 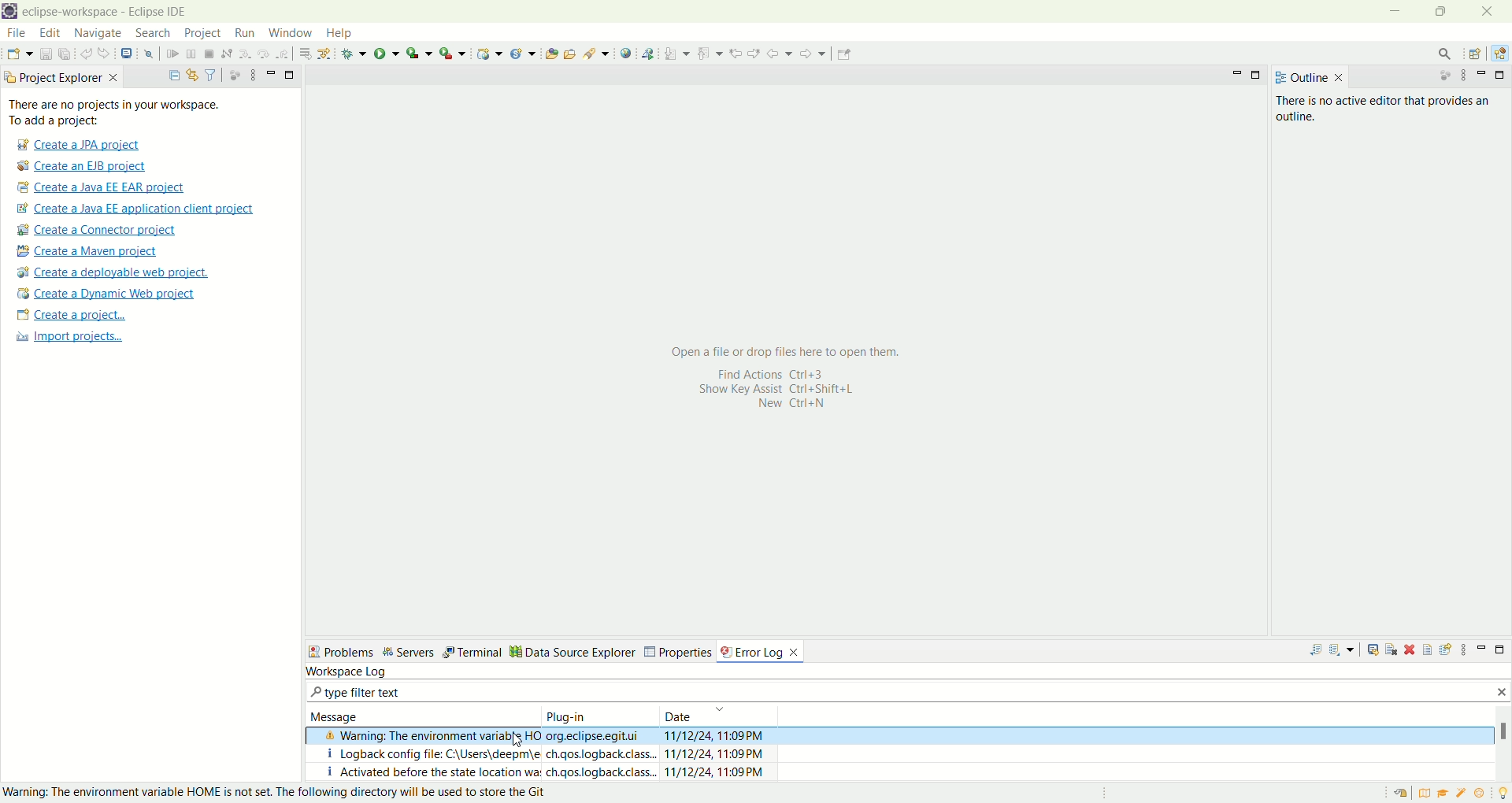 What do you see at coordinates (846, 55) in the screenshot?
I see `pin editor` at bounding box center [846, 55].